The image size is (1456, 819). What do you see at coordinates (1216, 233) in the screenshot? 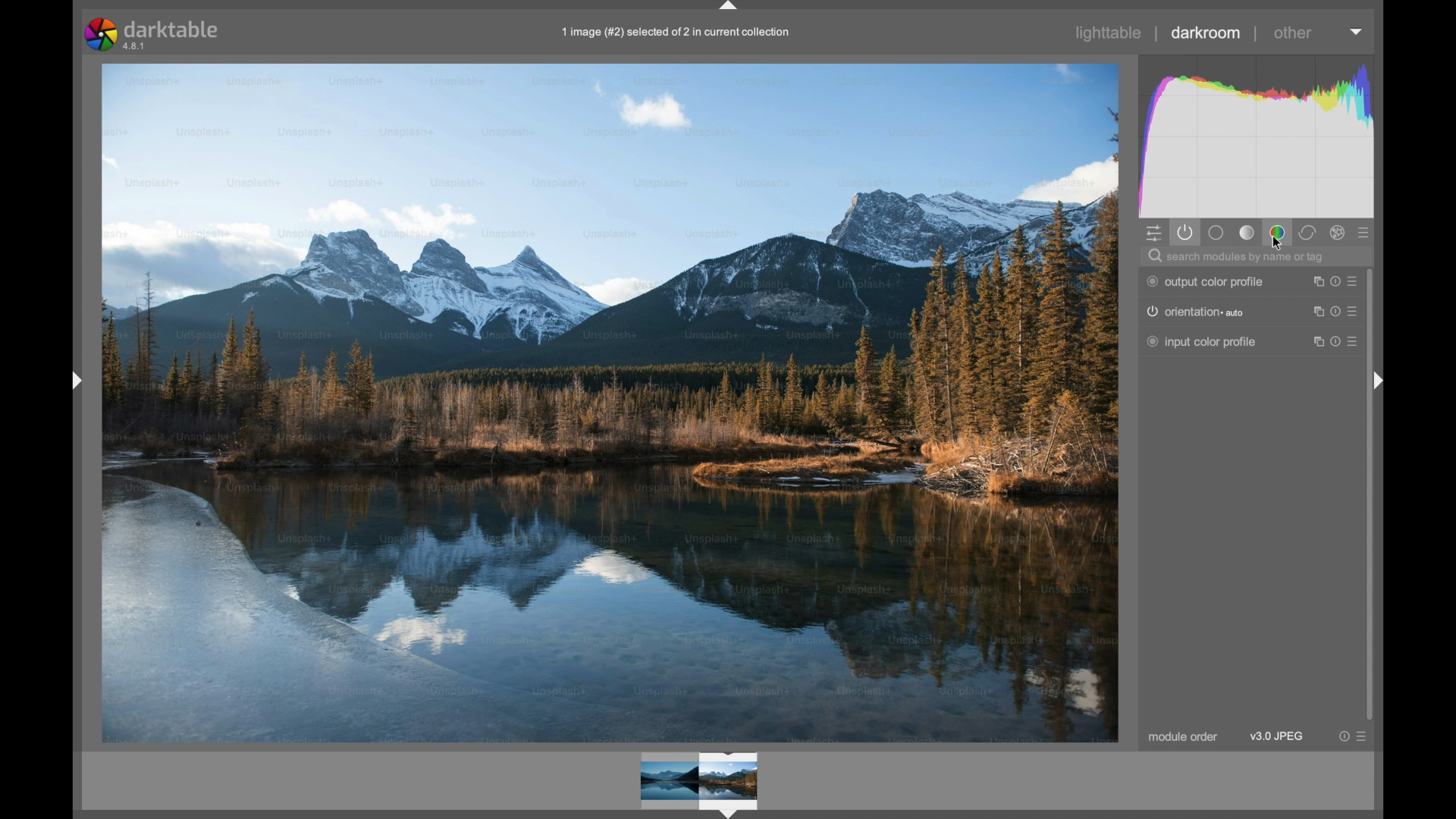
I see `base` at bounding box center [1216, 233].